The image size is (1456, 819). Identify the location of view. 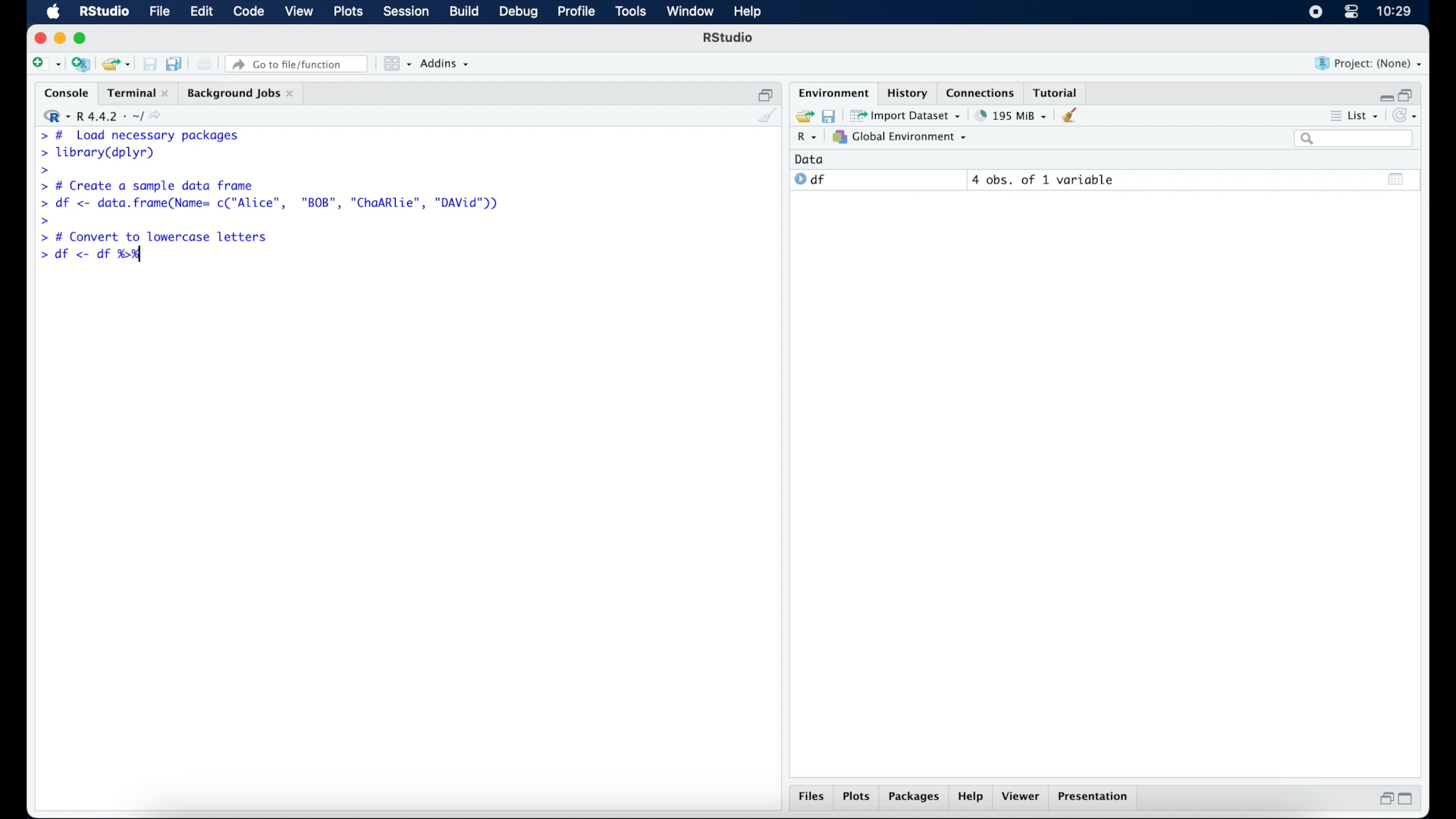
(300, 13).